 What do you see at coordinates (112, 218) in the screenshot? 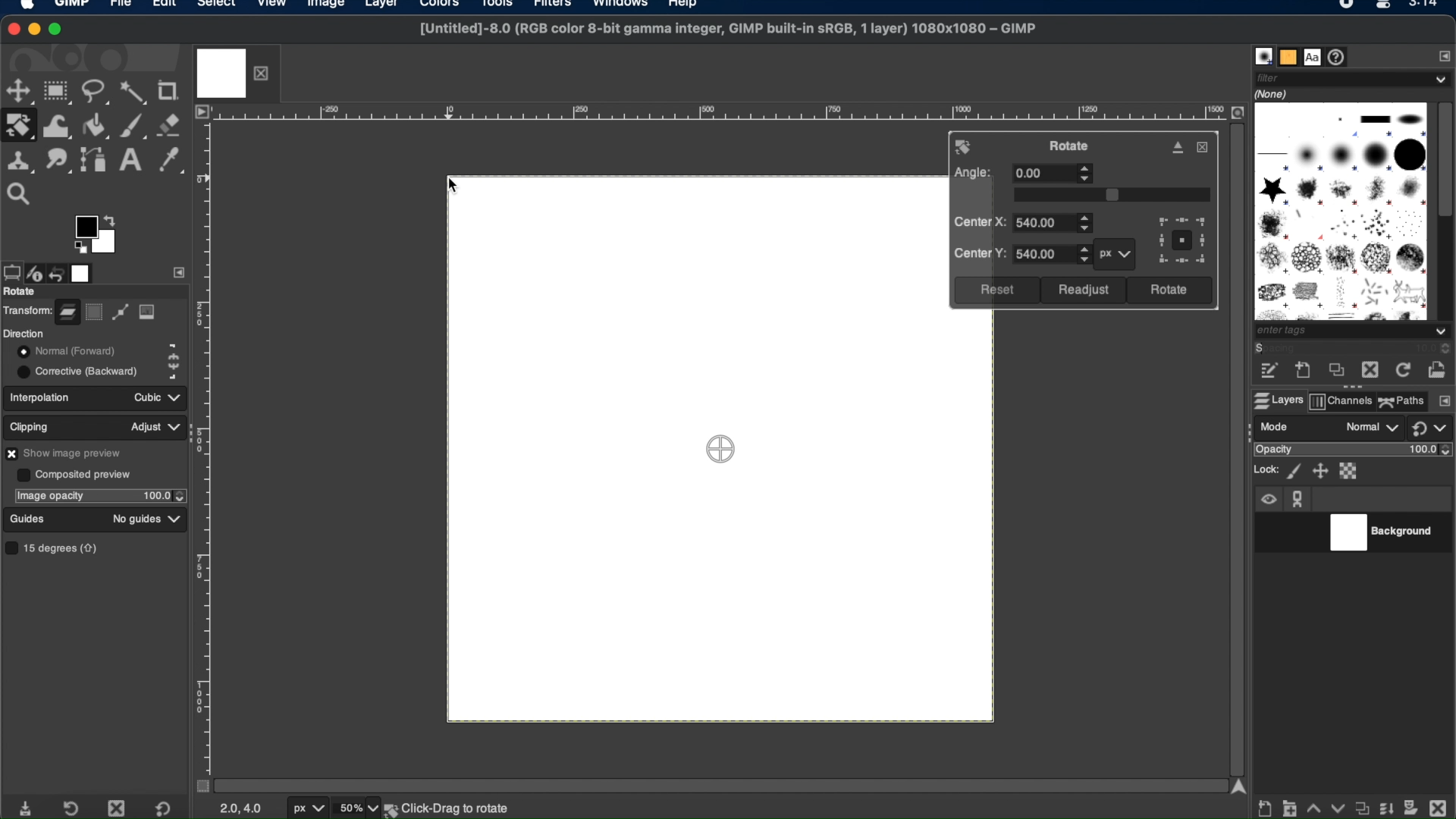
I see `arrow` at bounding box center [112, 218].